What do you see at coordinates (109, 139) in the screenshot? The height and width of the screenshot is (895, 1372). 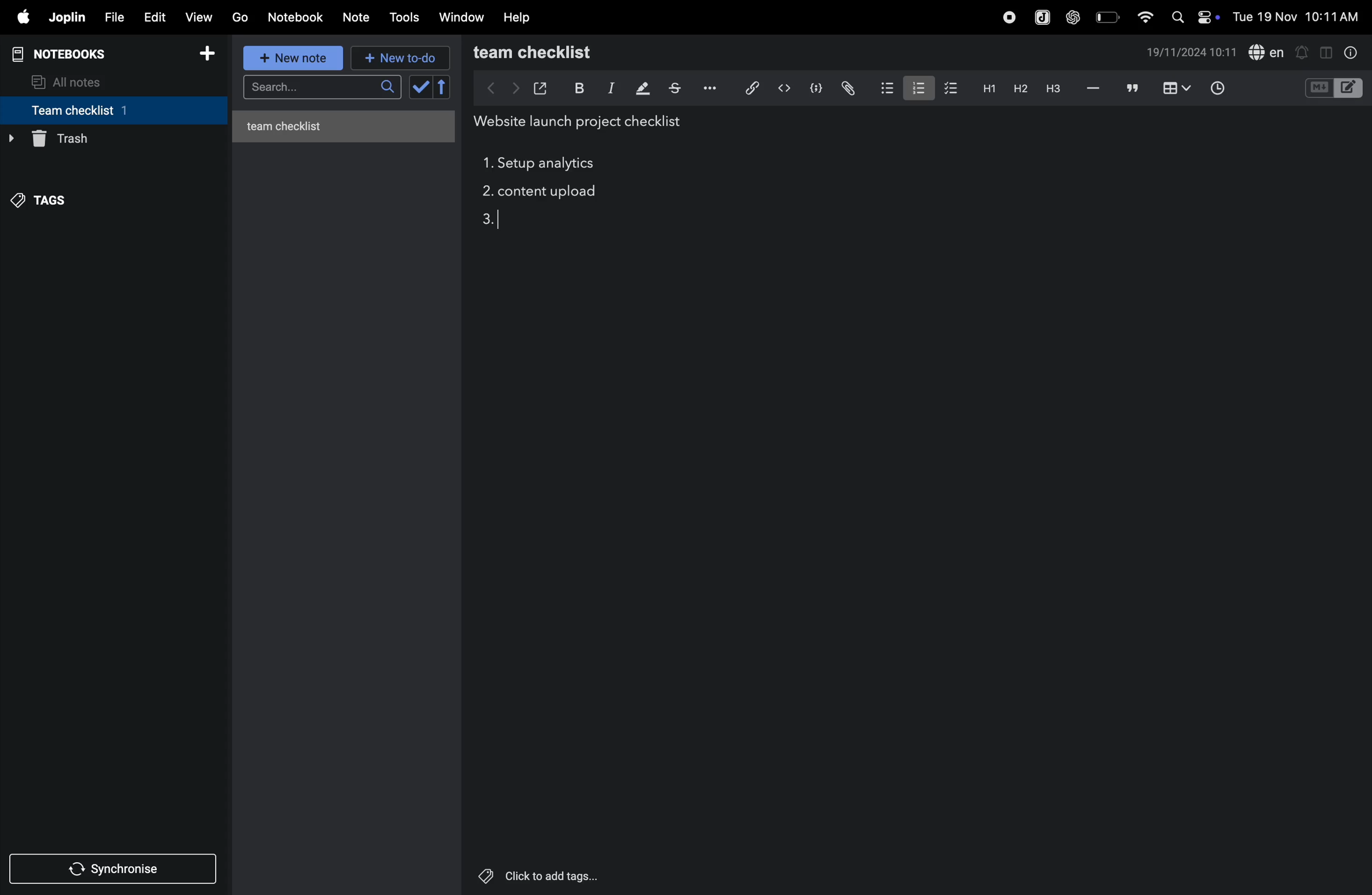 I see `trash` at bounding box center [109, 139].